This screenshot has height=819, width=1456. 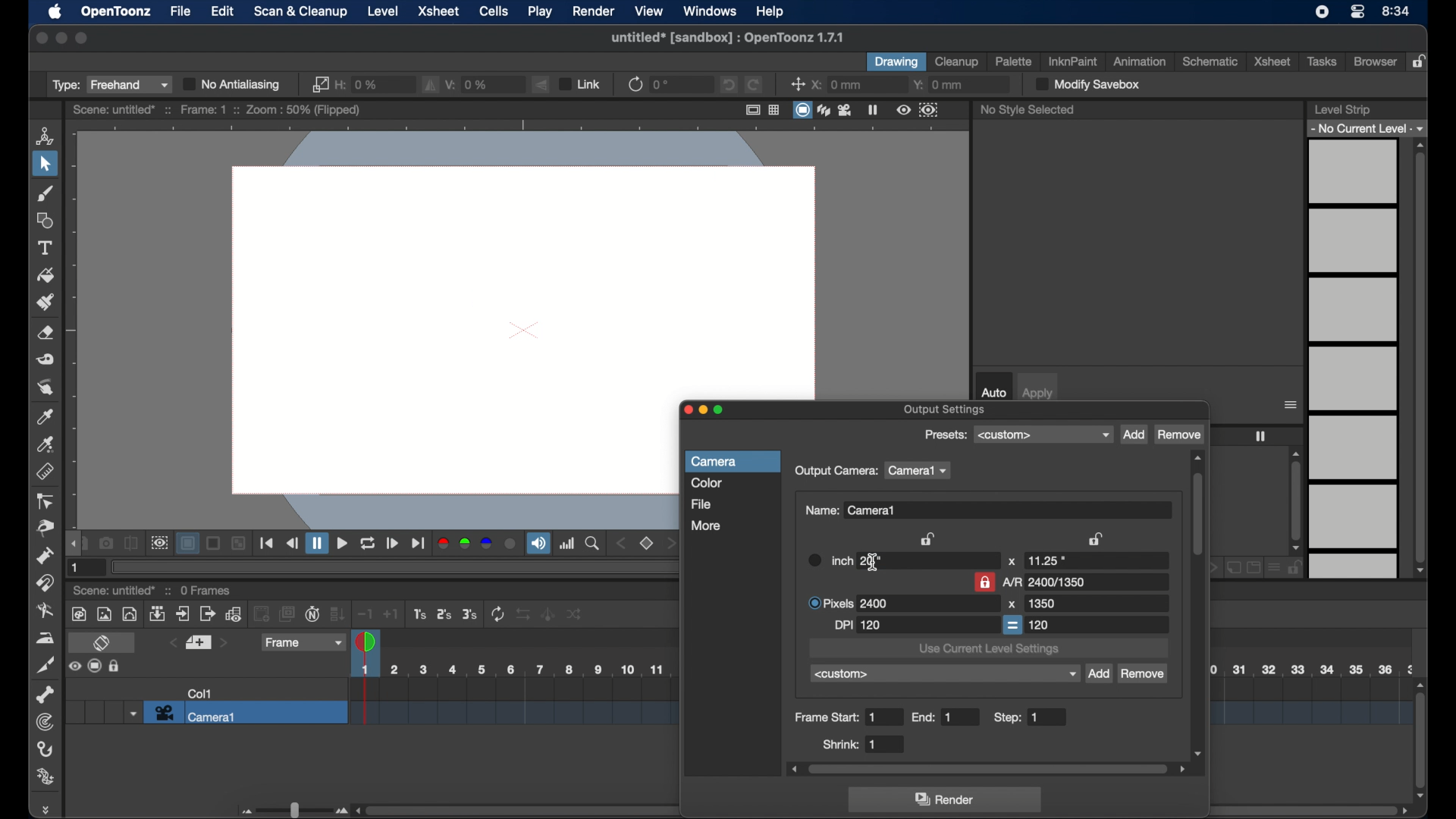 What do you see at coordinates (246, 713) in the screenshot?
I see `camera 1` at bounding box center [246, 713].